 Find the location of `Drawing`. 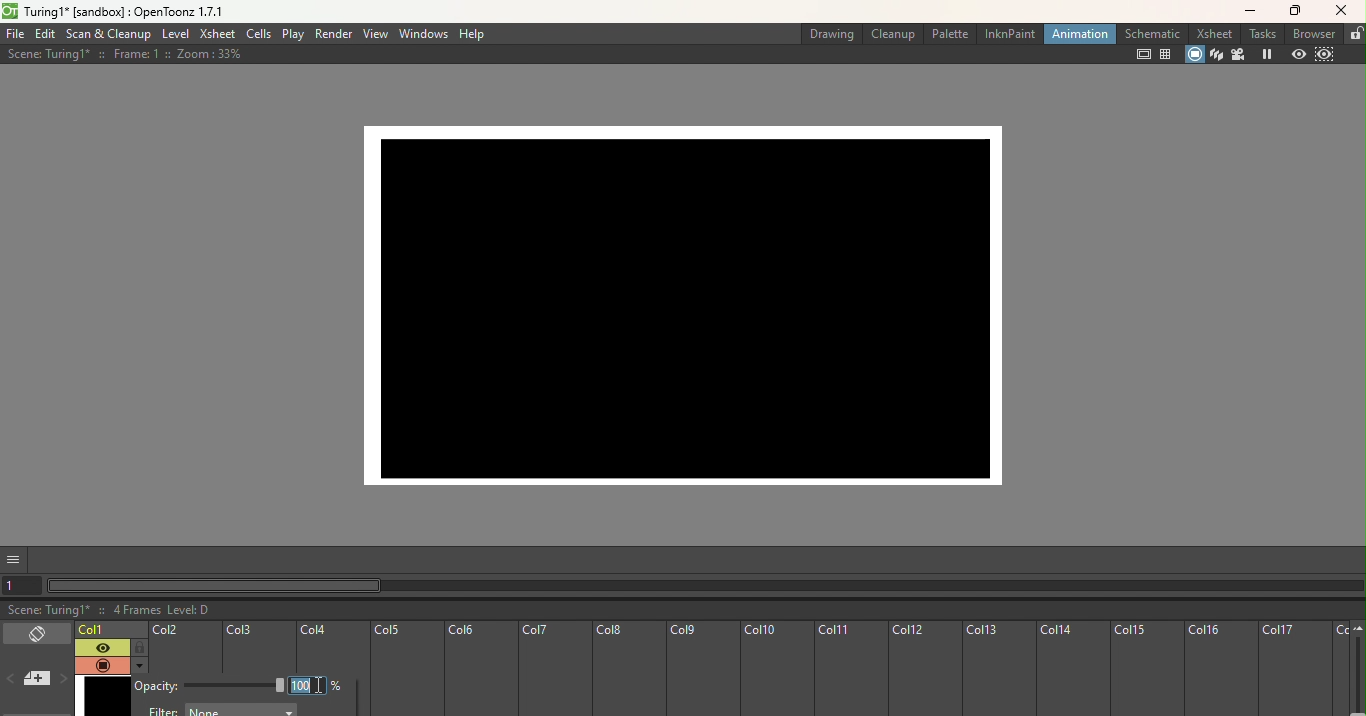

Drawing is located at coordinates (828, 32).